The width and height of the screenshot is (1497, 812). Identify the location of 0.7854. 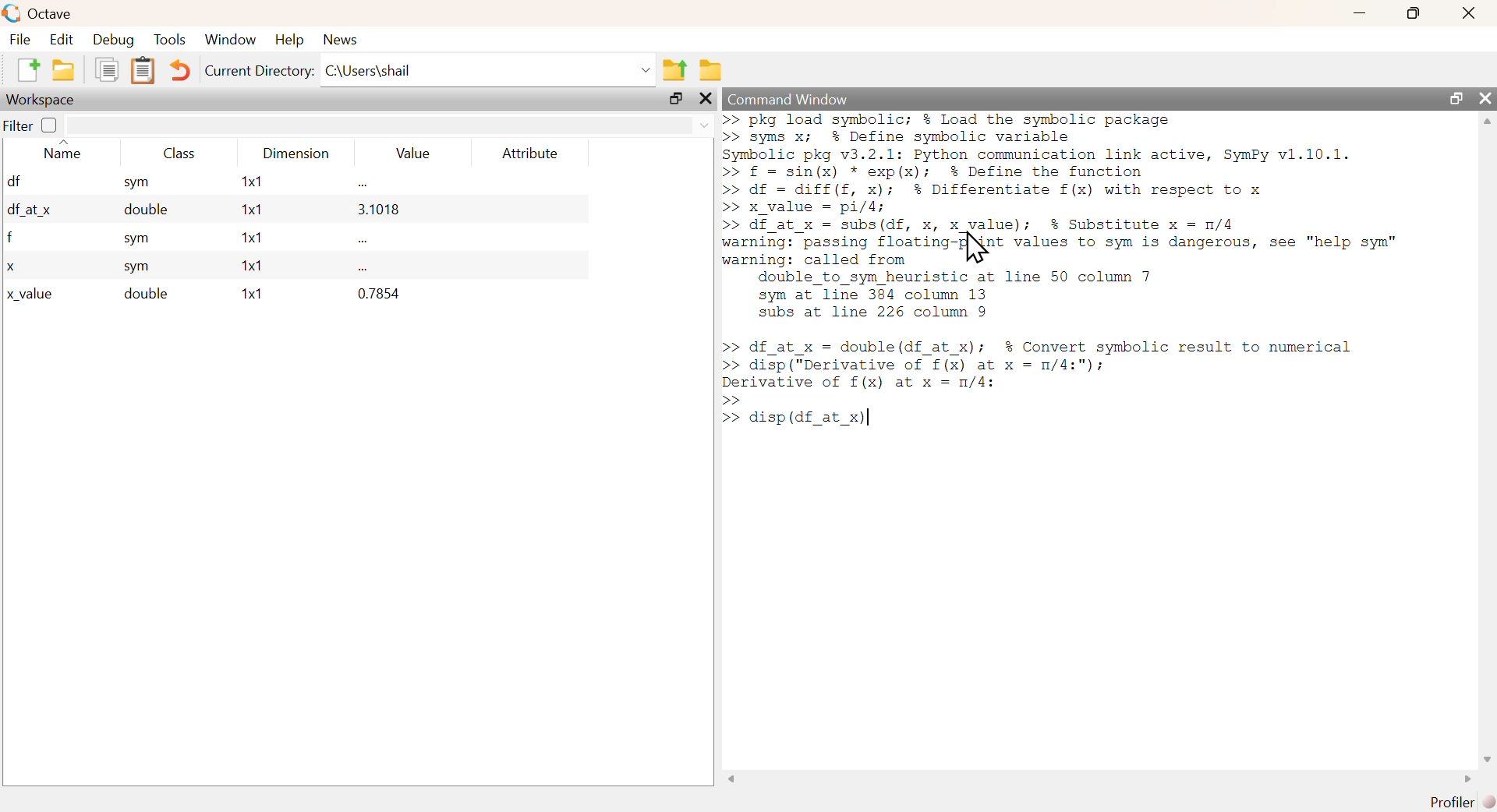
(379, 293).